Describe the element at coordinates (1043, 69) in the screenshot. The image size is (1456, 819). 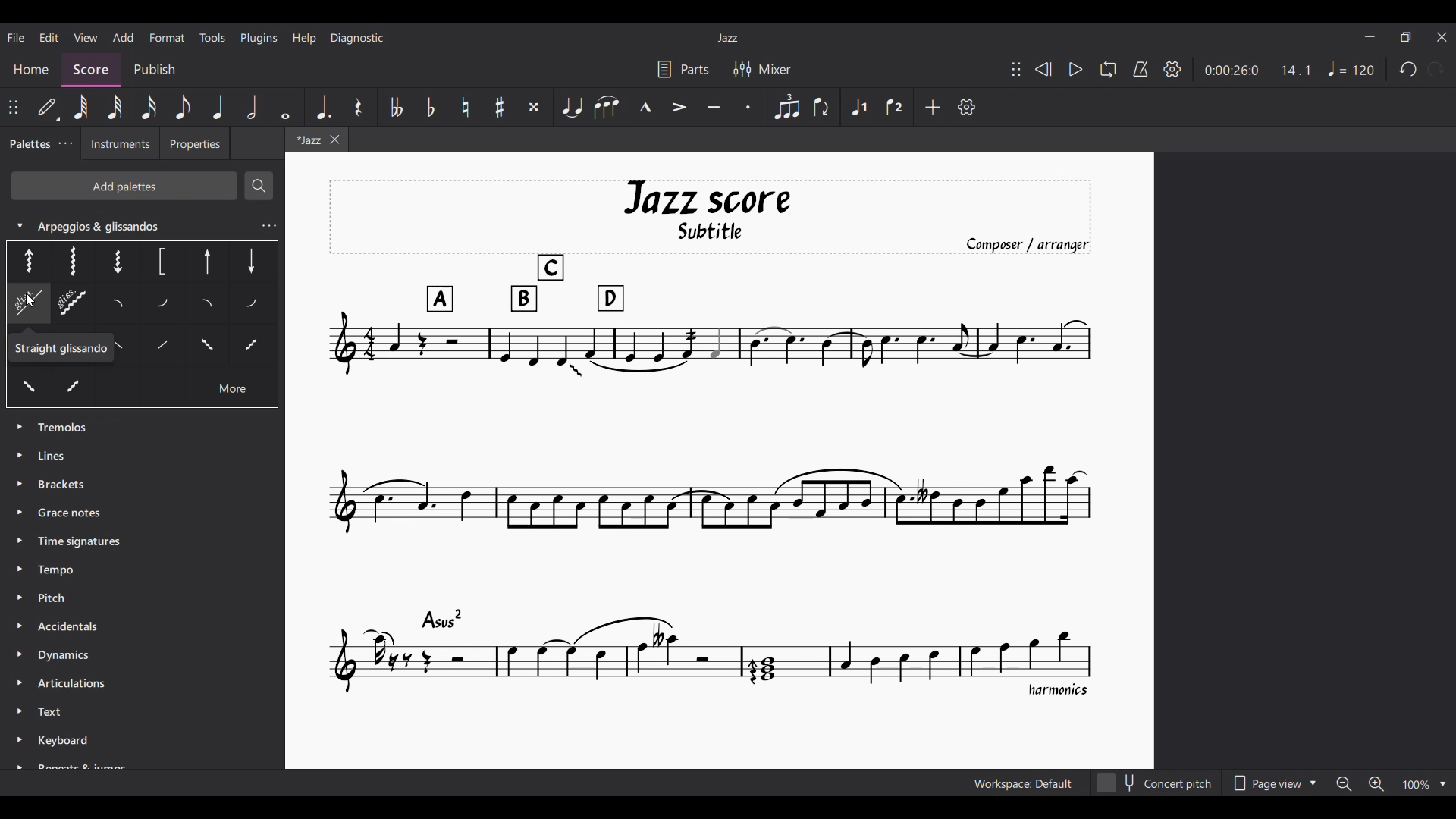
I see `Rewind` at that location.